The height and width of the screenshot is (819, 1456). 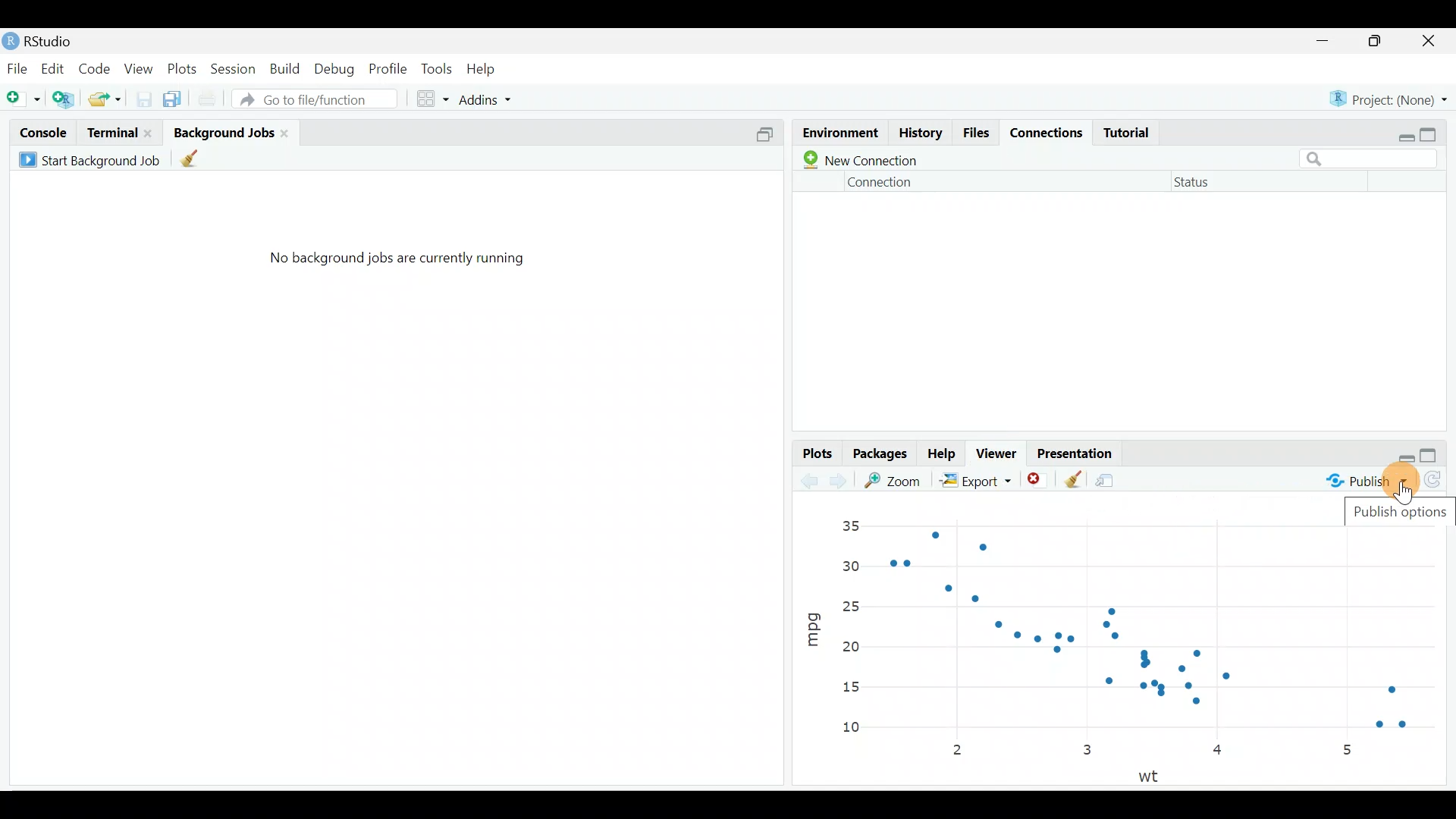 What do you see at coordinates (813, 623) in the screenshot?
I see `mpg` at bounding box center [813, 623].